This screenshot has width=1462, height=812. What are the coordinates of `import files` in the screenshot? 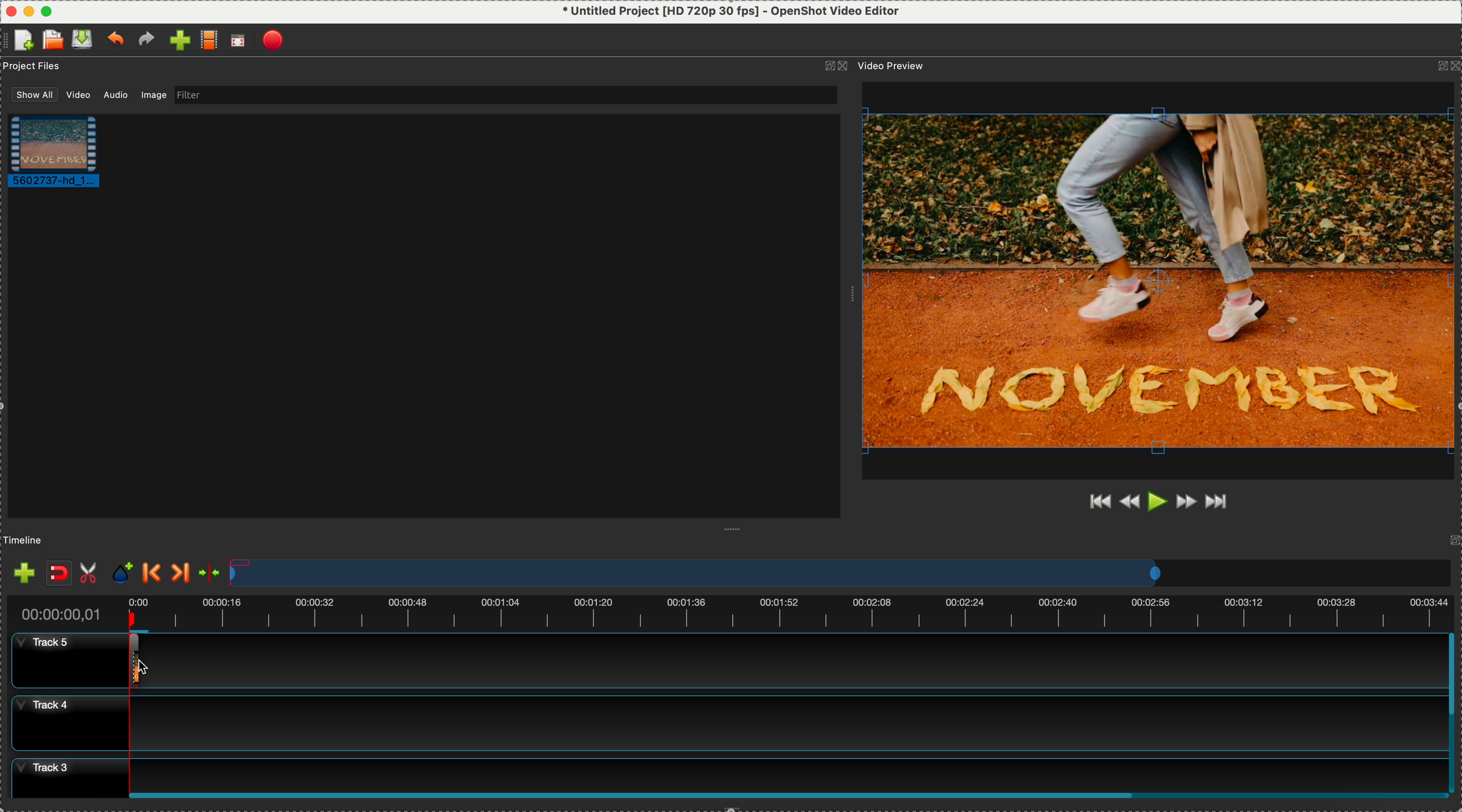 It's located at (21, 570).